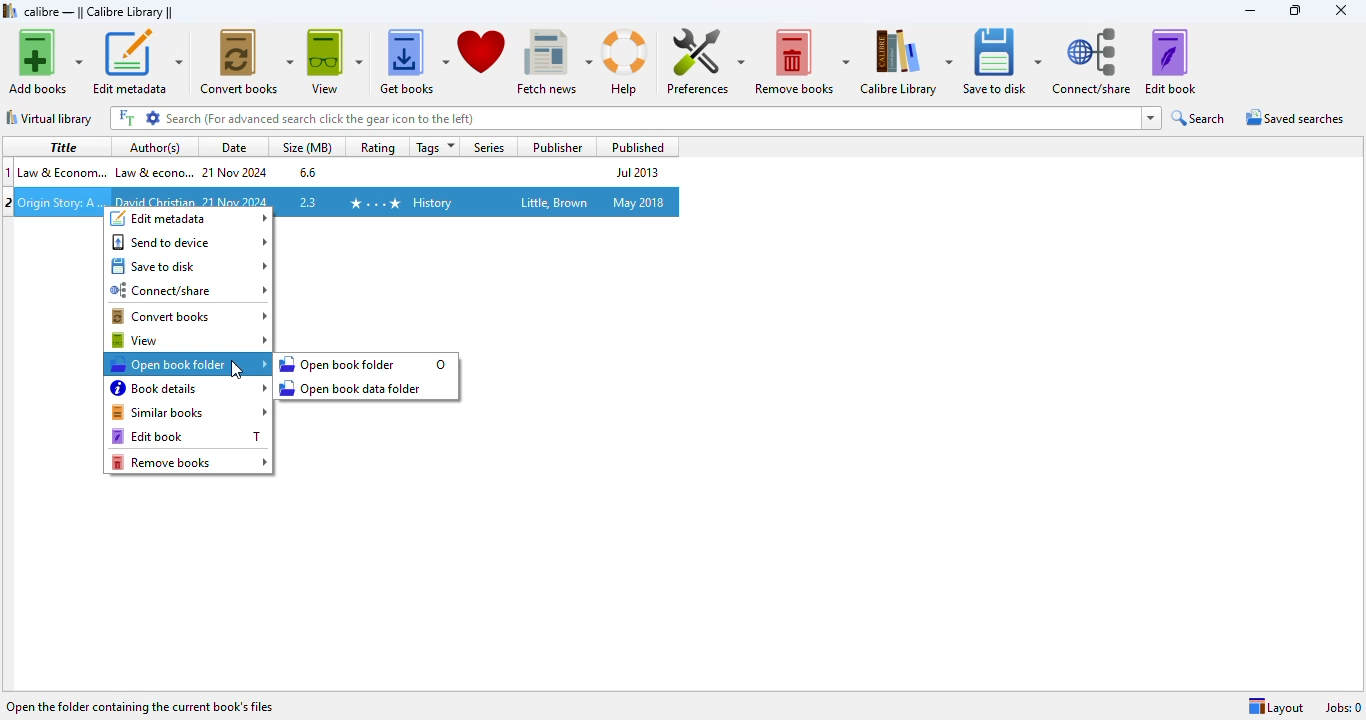 The width and height of the screenshot is (1366, 720). What do you see at coordinates (482, 50) in the screenshot?
I see `donate to support calibre` at bounding box center [482, 50].